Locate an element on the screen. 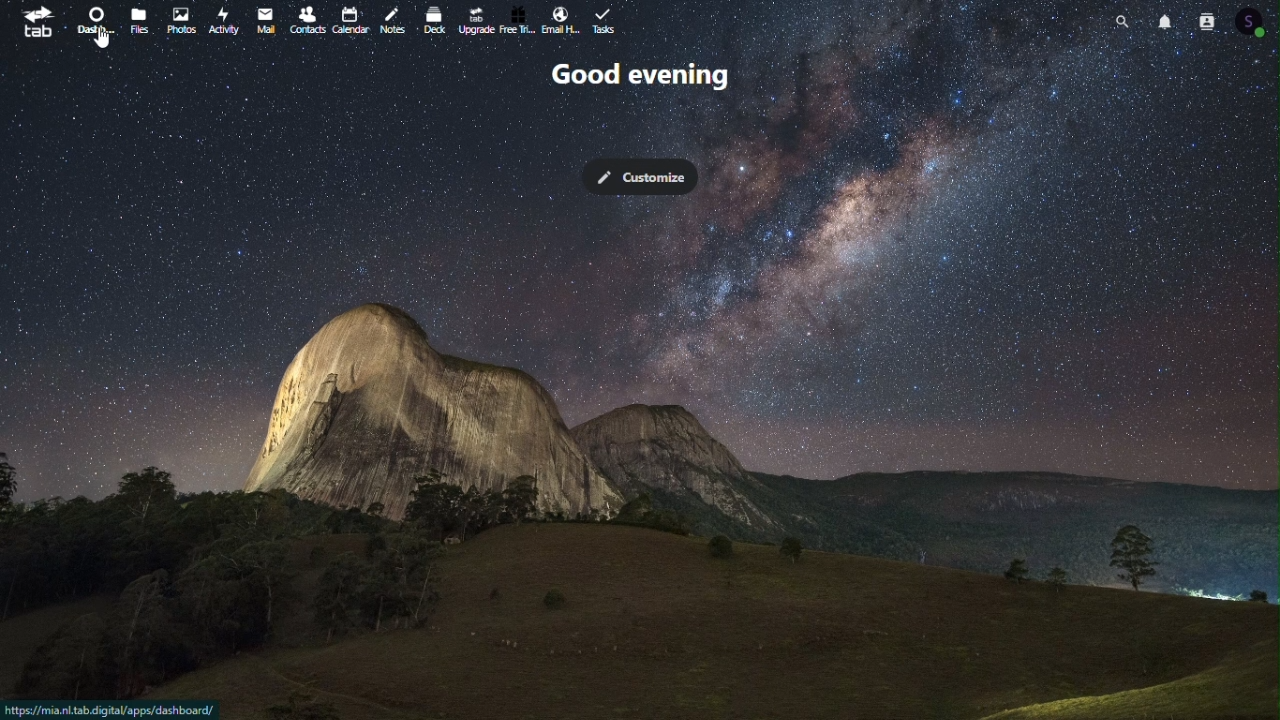  Search is located at coordinates (1126, 19).